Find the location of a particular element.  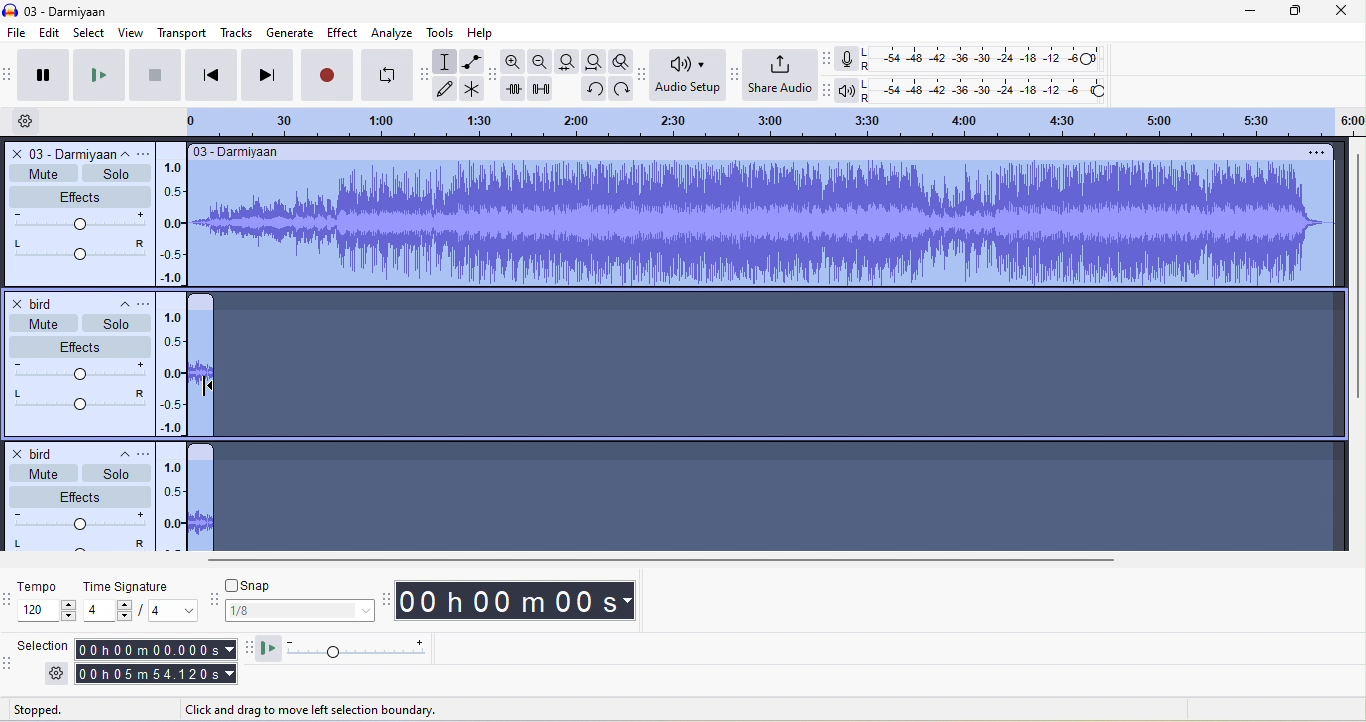

audacity edit toolbar is located at coordinates (495, 72).